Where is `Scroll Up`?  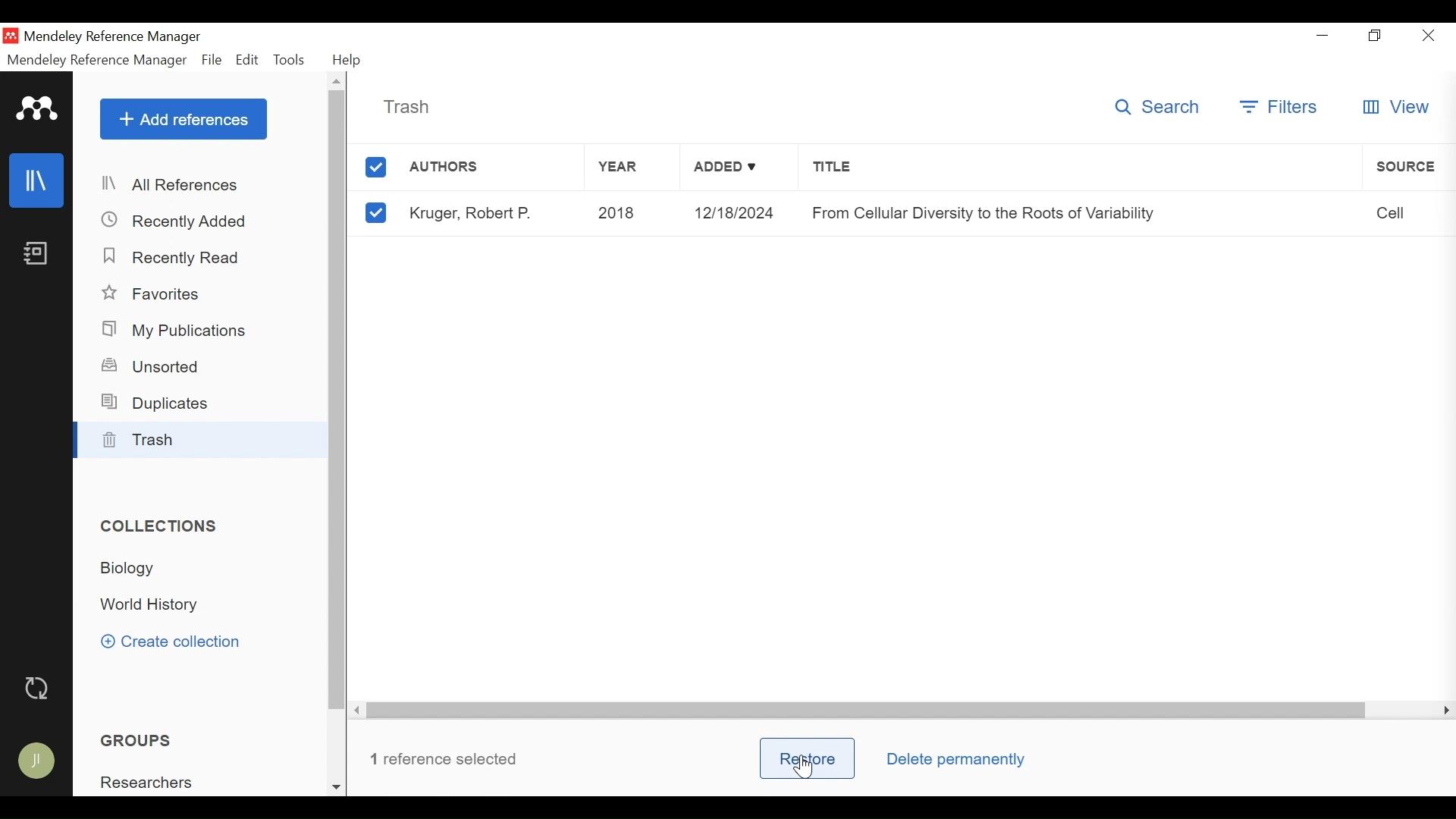
Scroll Up is located at coordinates (336, 80).